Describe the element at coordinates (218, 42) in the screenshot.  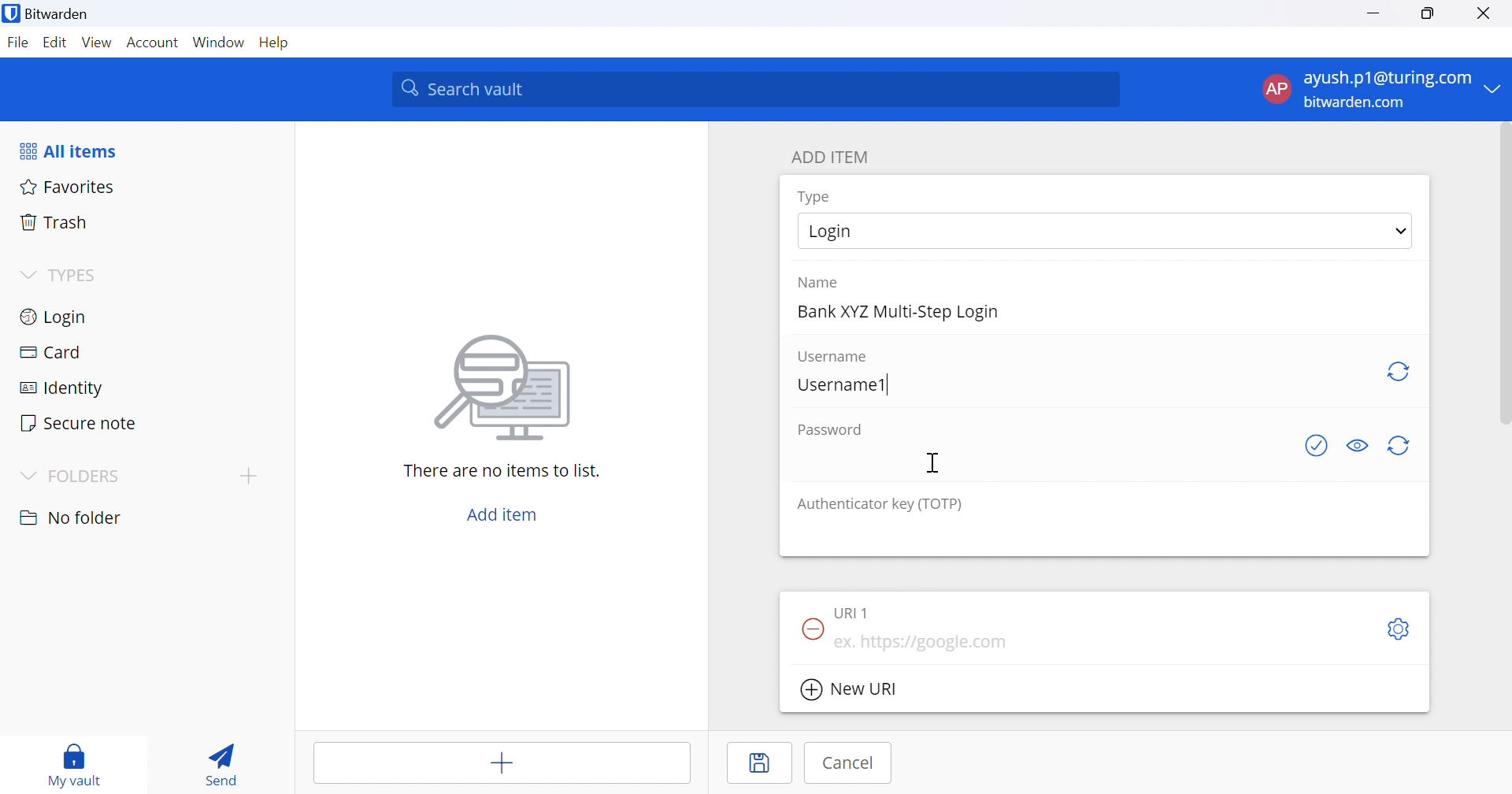
I see `Window` at that location.